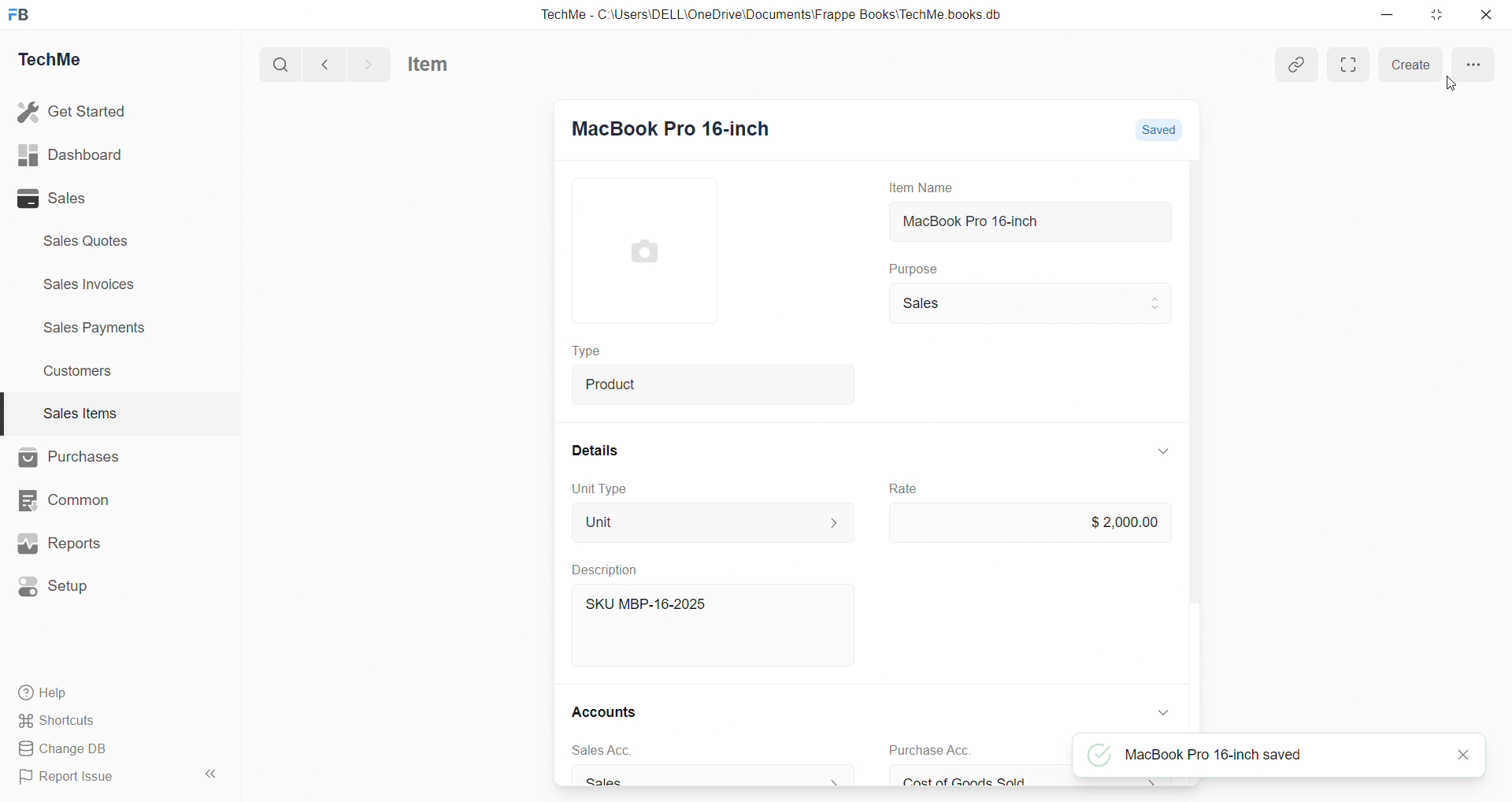 The height and width of the screenshot is (802, 1512). What do you see at coordinates (96, 328) in the screenshot?
I see `Sales Payments` at bounding box center [96, 328].